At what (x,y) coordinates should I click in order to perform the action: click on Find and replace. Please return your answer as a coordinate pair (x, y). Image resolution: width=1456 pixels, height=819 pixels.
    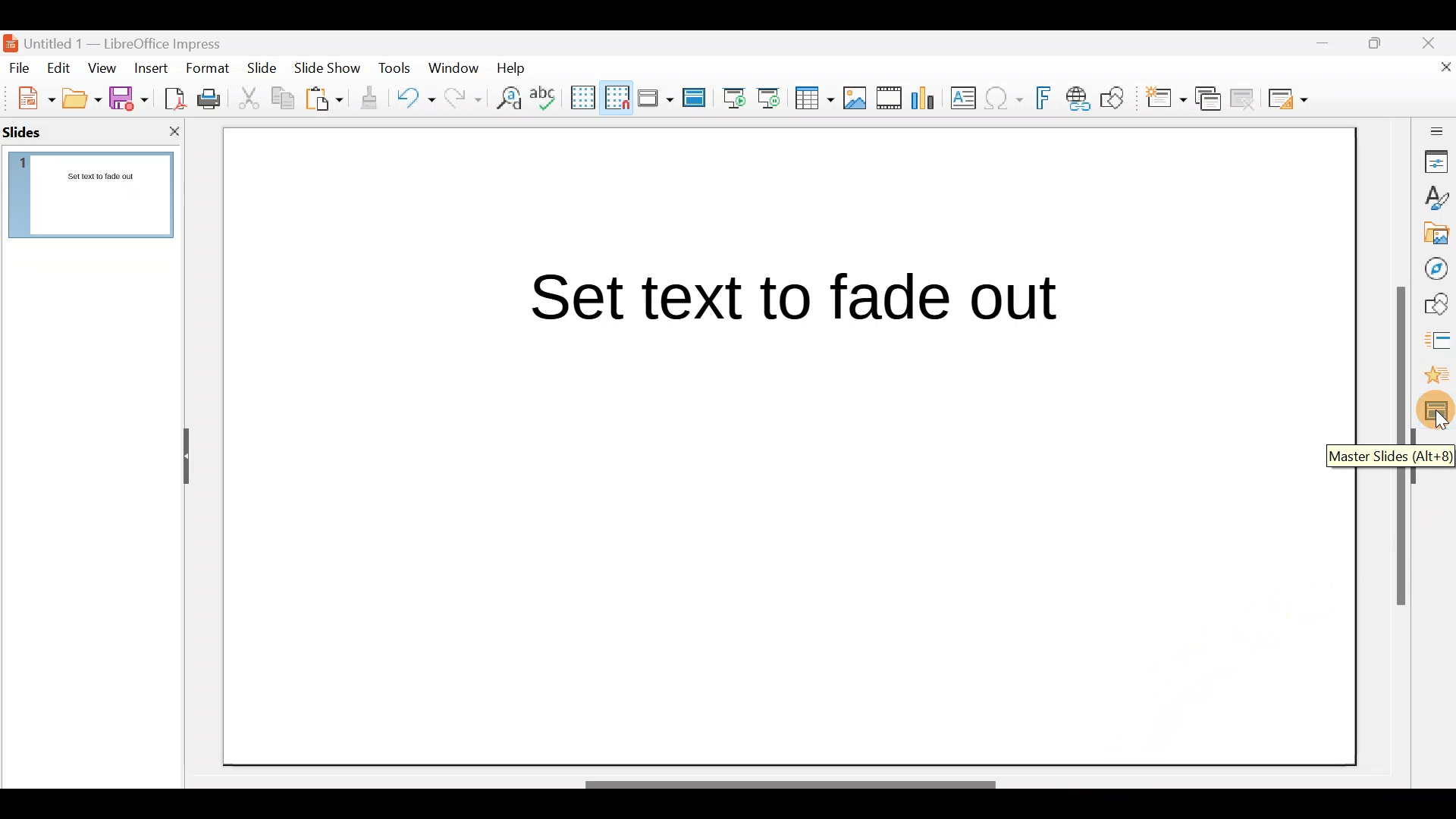
    Looking at the image, I should click on (506, 98).